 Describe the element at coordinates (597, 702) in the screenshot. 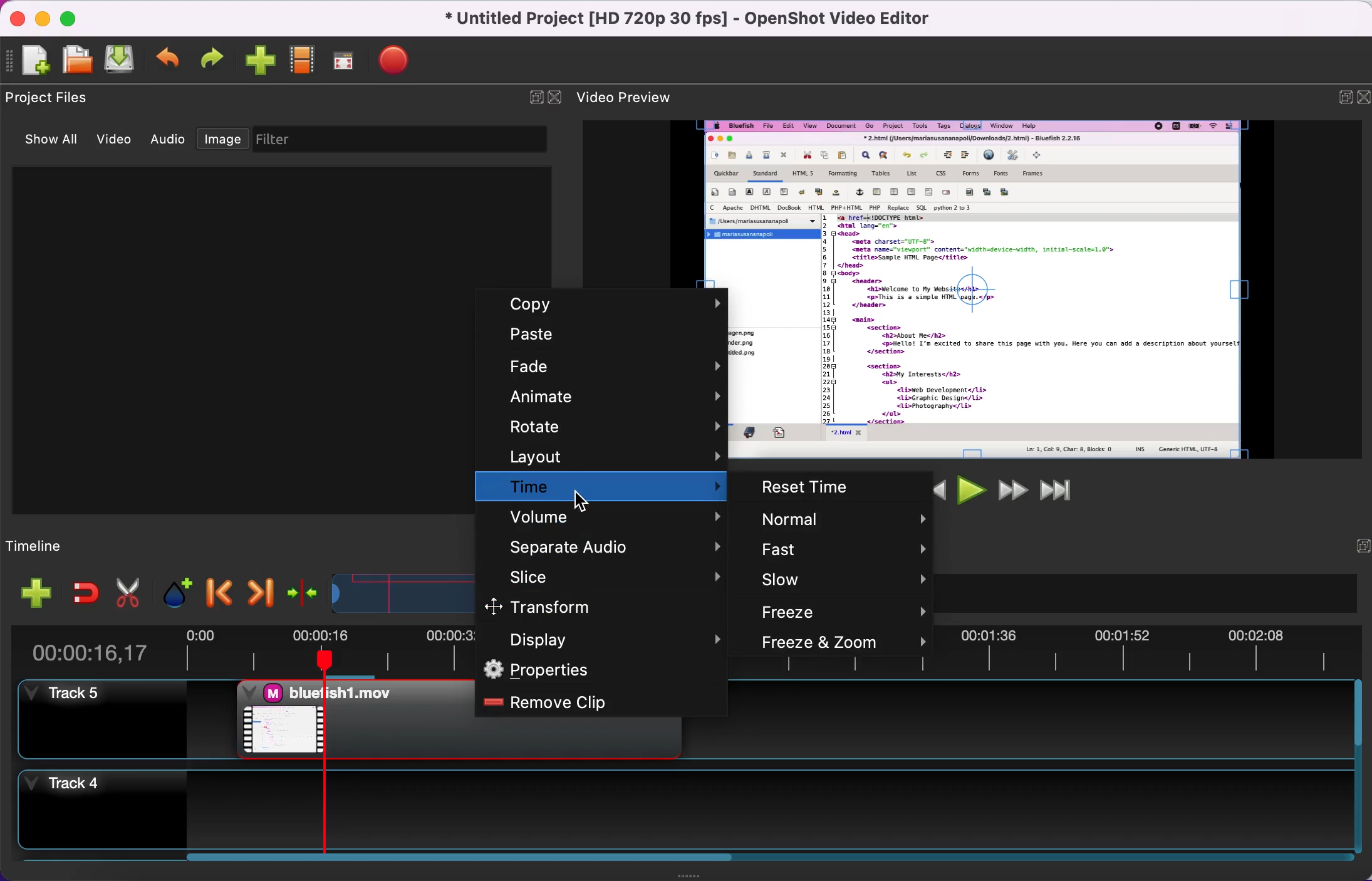

I see `remove clip` at that location.